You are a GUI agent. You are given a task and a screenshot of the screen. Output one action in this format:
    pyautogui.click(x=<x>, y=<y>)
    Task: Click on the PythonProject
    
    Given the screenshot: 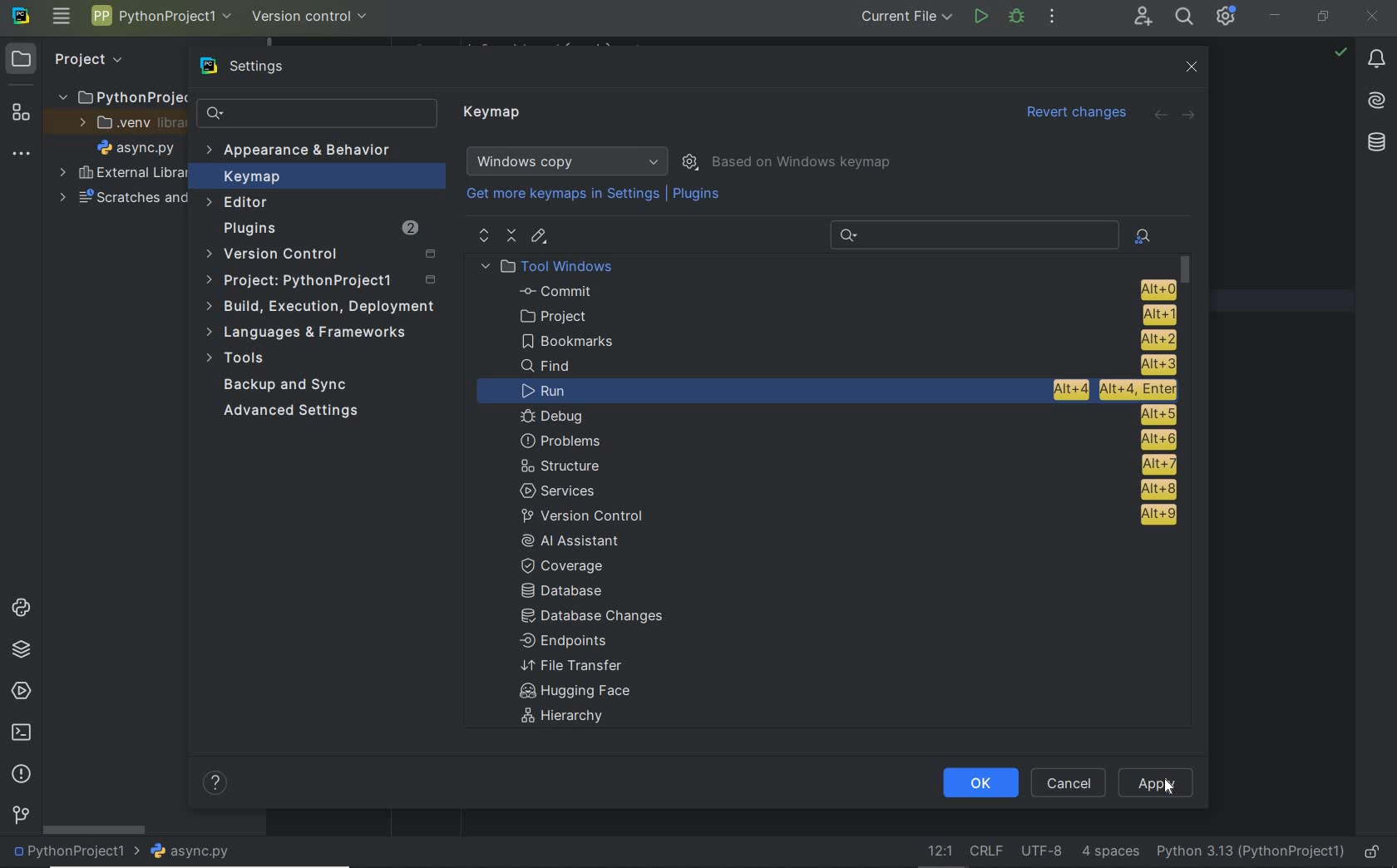 What is the action you would take?
    pyautogui.click(x=122, y=96)
    